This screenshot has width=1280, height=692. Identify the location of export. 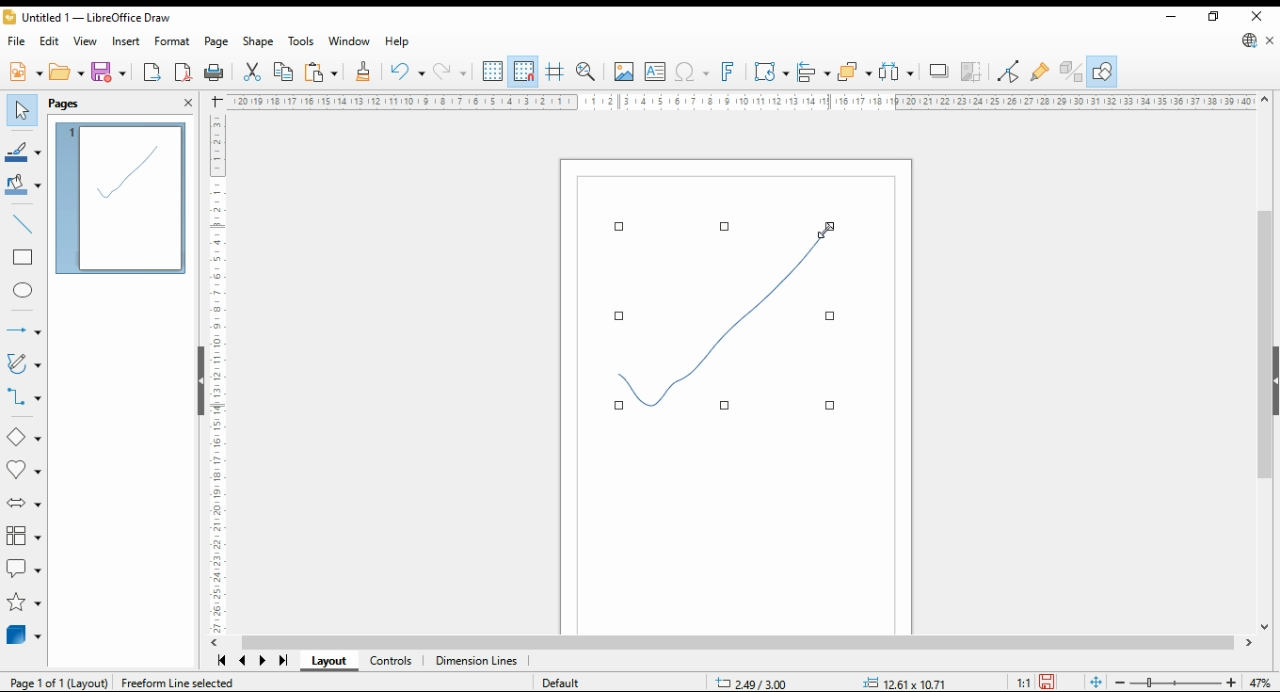
(152, 72).